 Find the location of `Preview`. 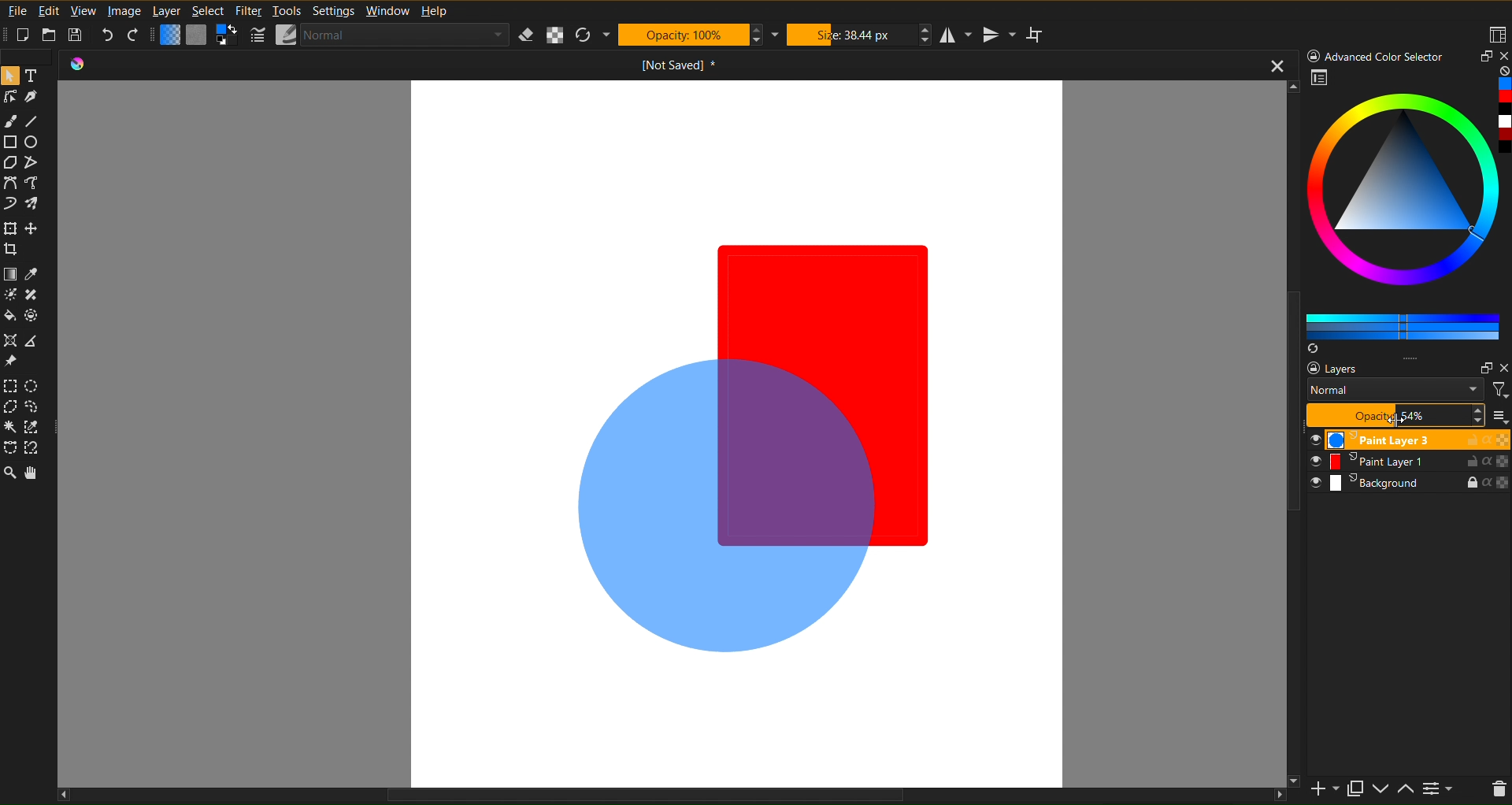

Preview is located at coordinates (1320, 78).